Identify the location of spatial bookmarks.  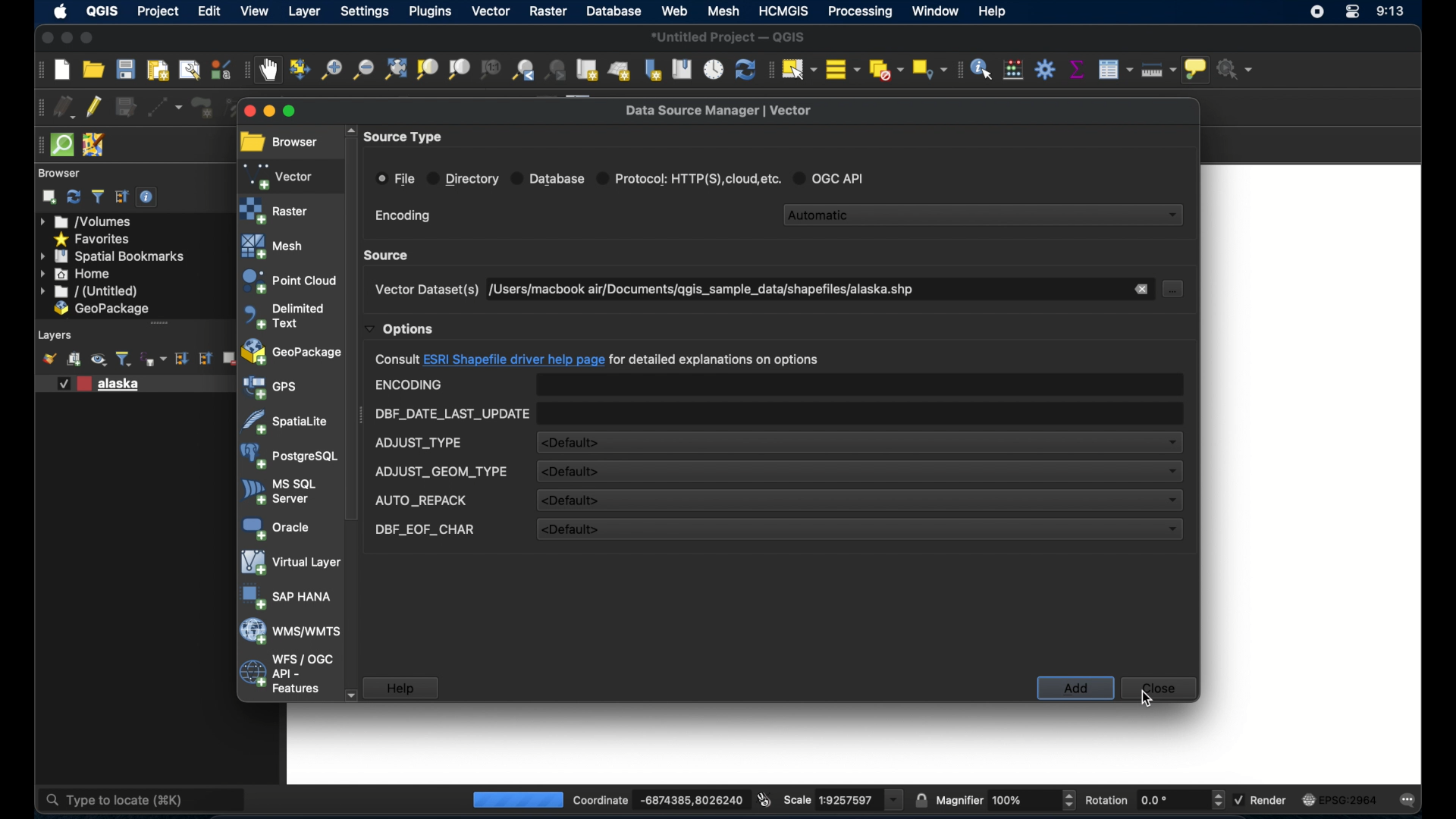
(113, 256).